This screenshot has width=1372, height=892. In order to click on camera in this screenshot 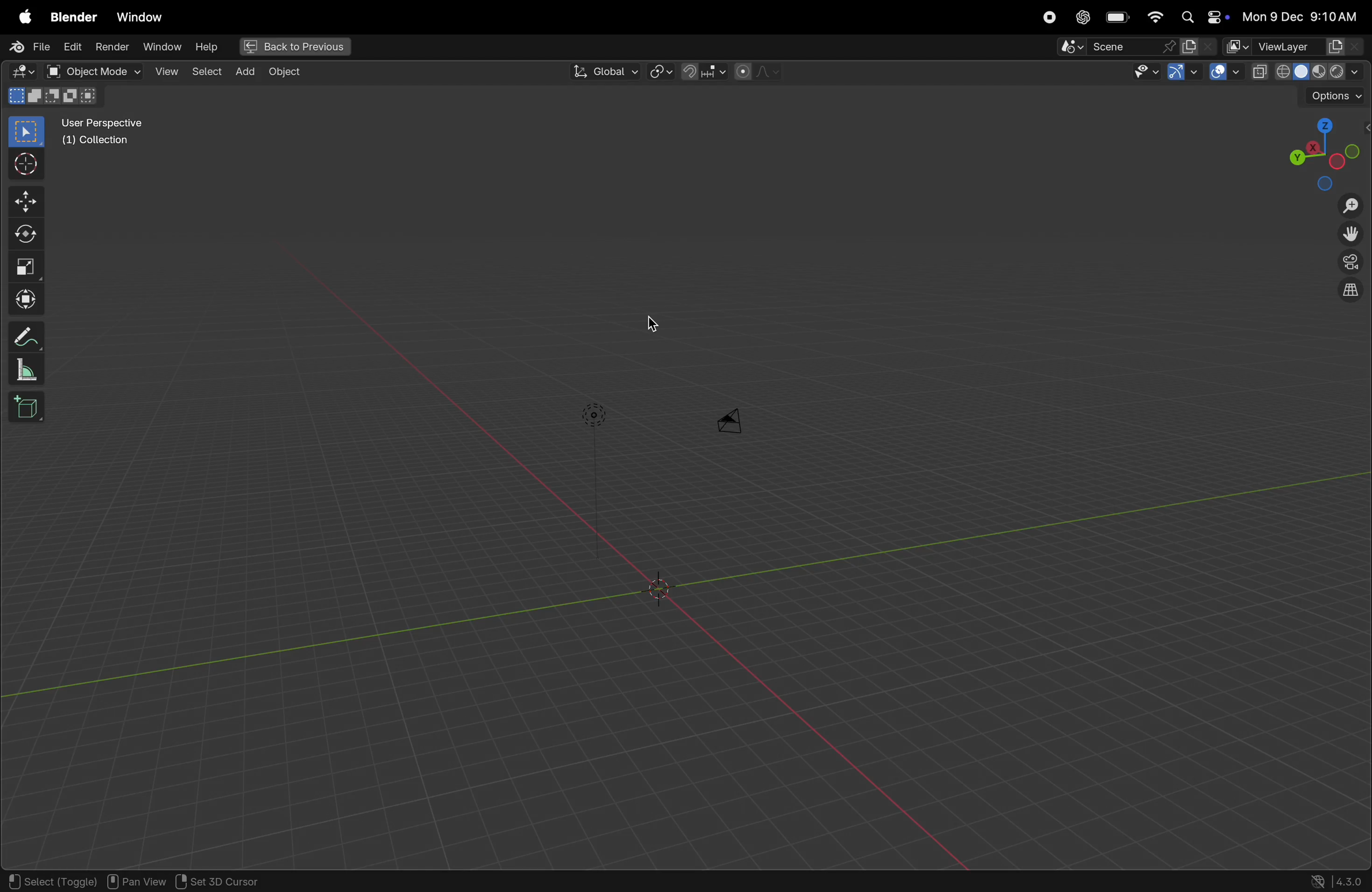, I will do `click(738, 418)`.